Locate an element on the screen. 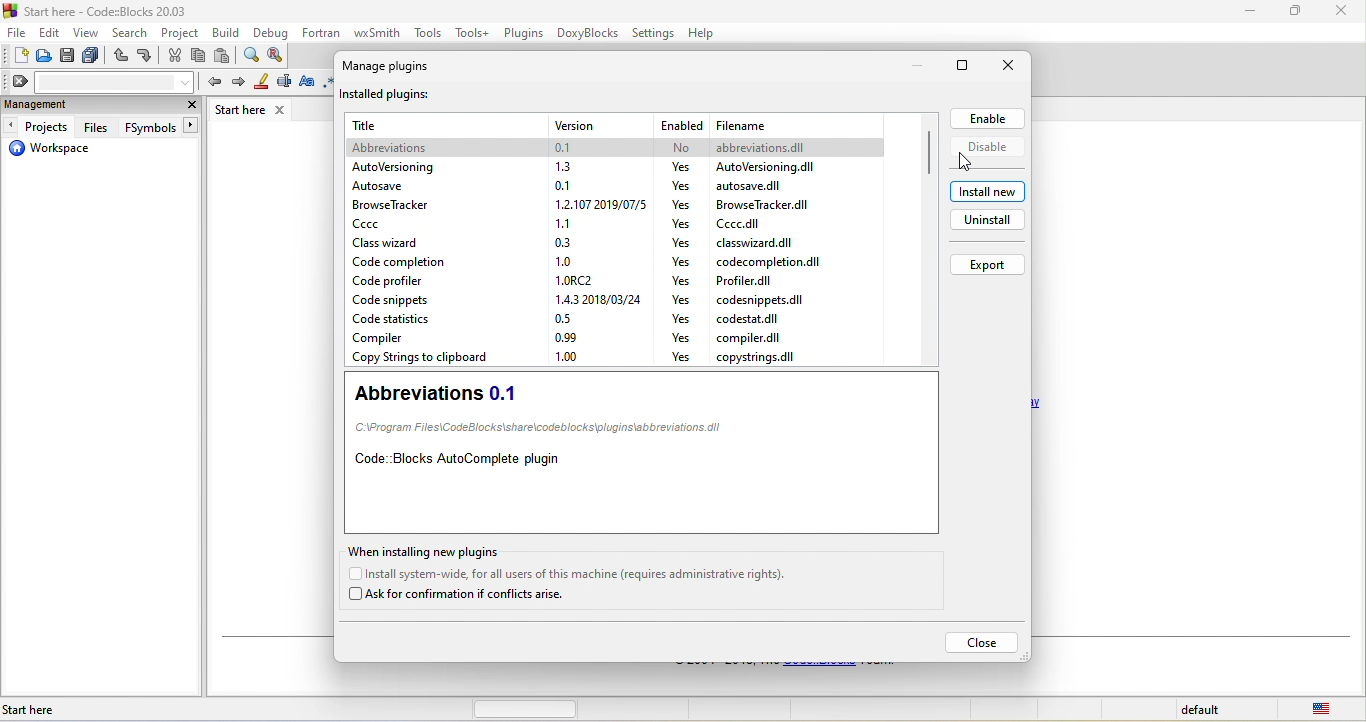  find is located at coordinates (252, 55).